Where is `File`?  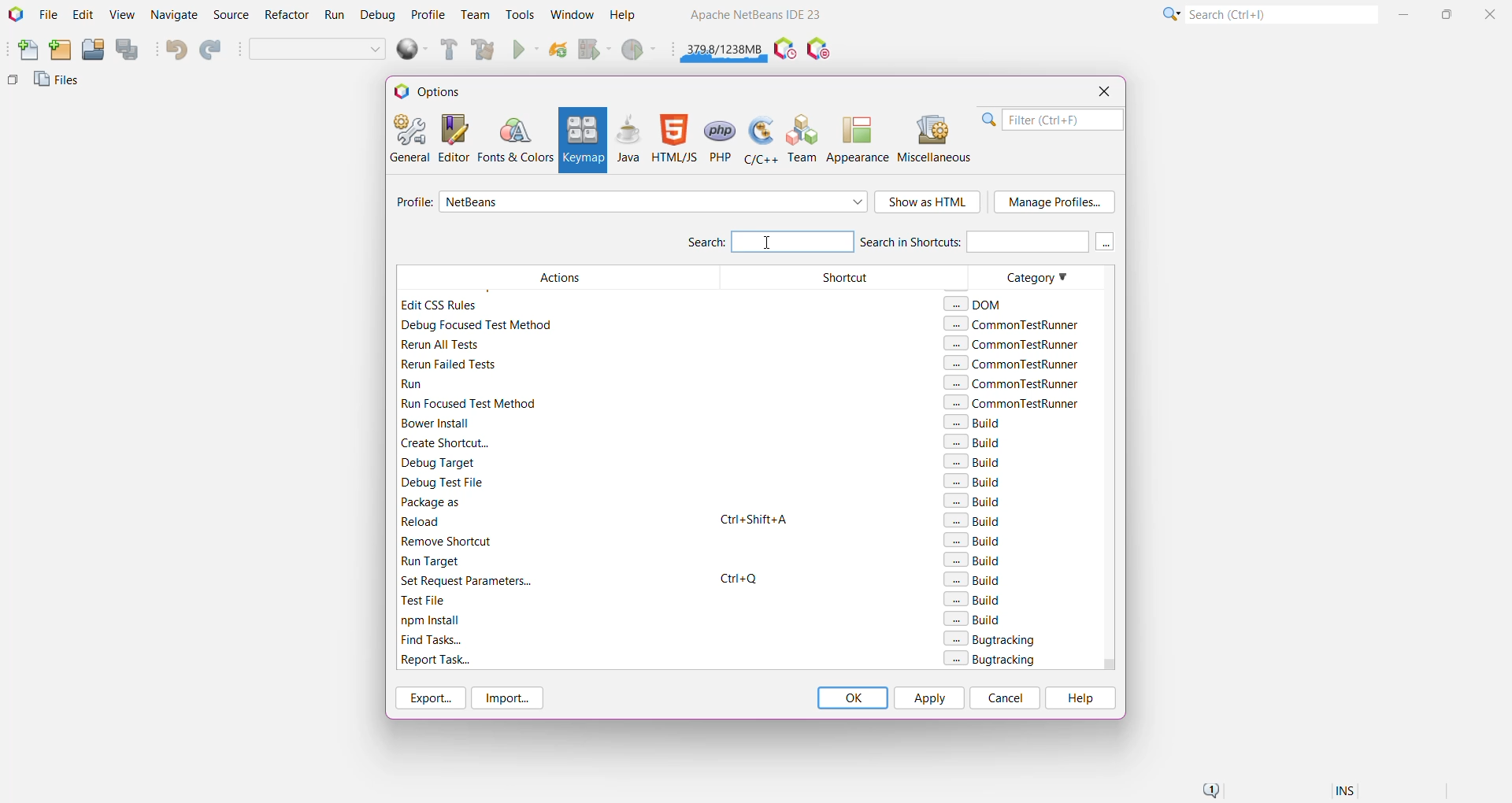 File is located at coordinates (48, 15).